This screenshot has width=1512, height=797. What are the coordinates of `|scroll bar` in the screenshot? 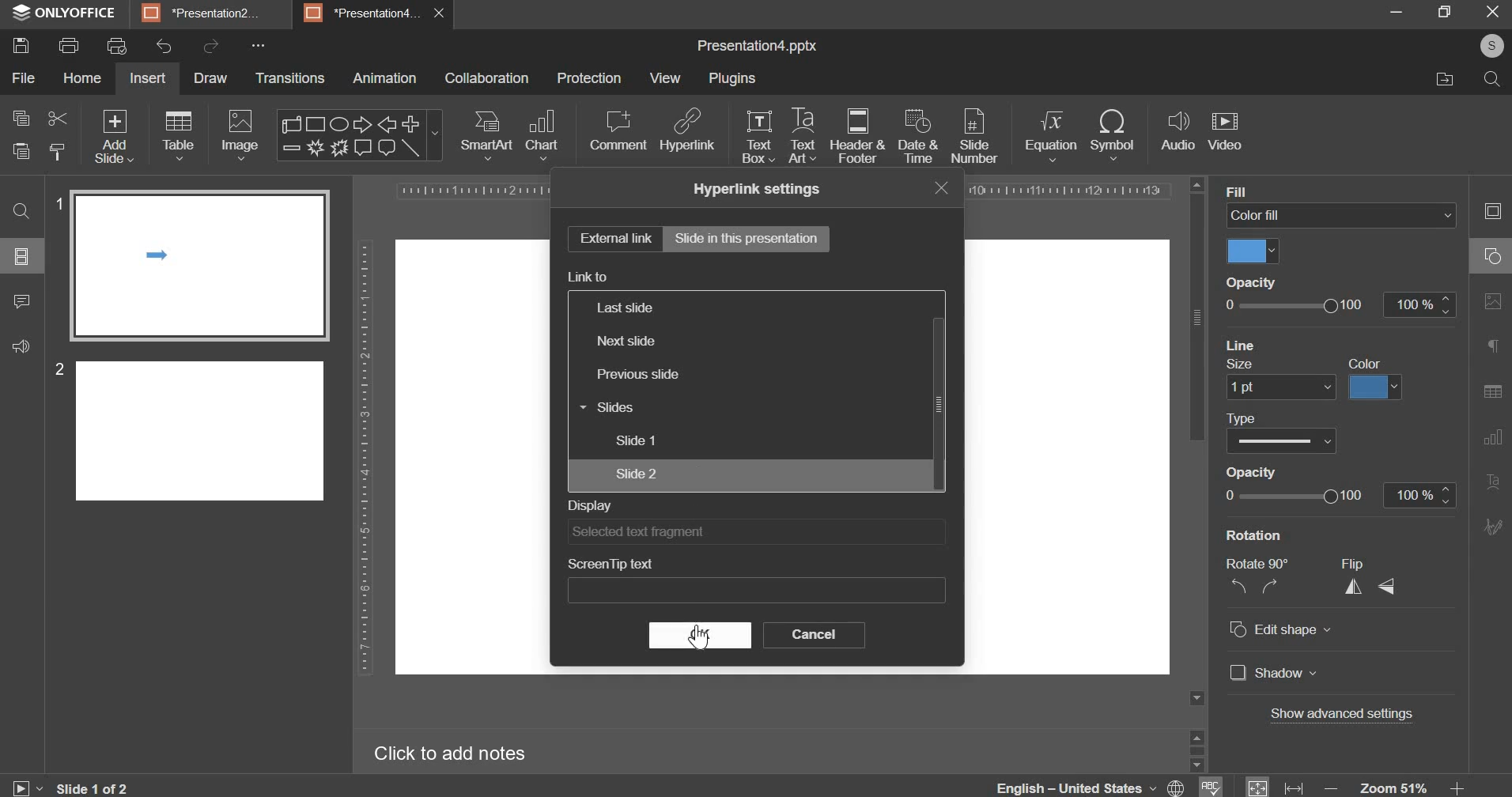 It's located at (936, 387).